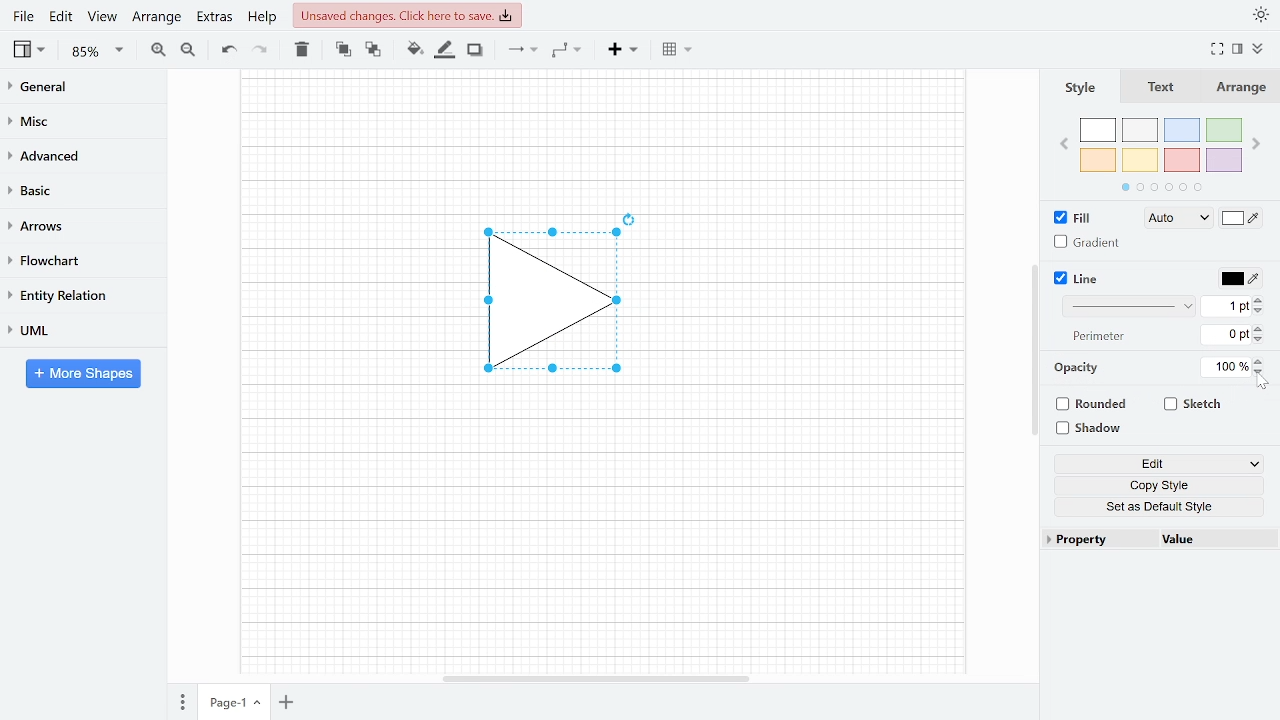  I want to click on workspace, so click(602, 135).